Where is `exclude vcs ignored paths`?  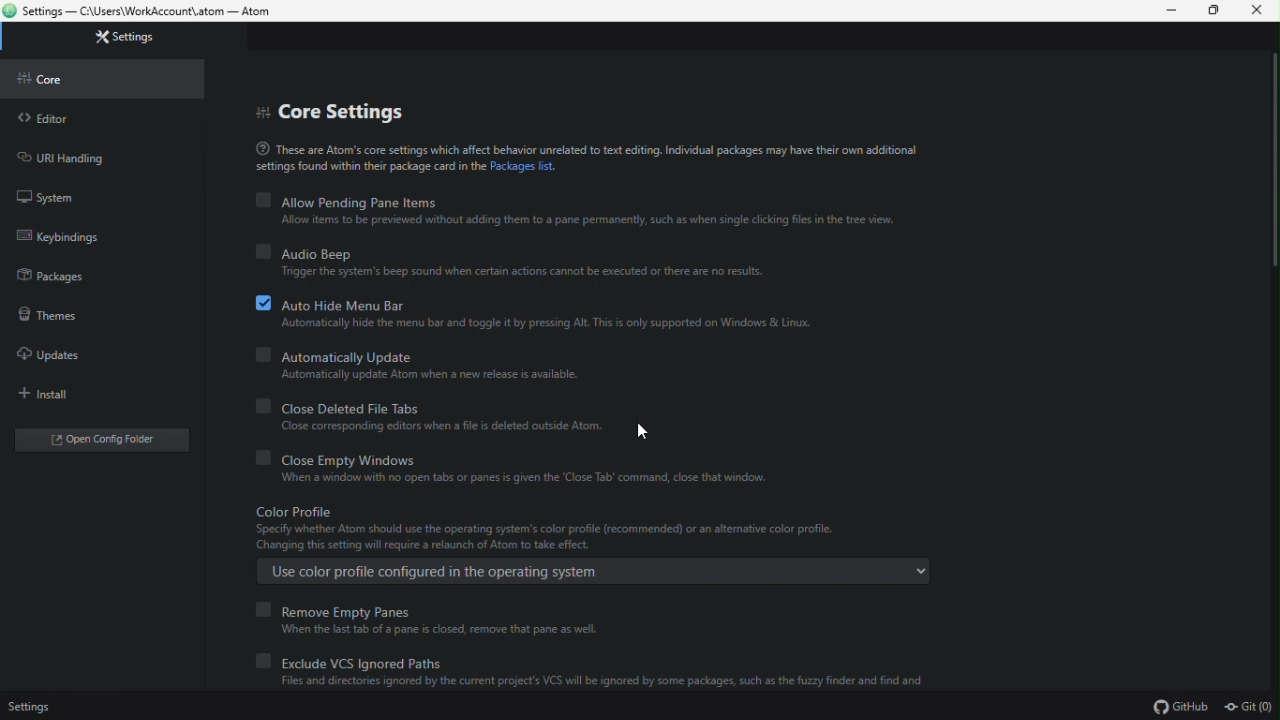 exclude vcs ignored paths is located at coordinates (601, 661).